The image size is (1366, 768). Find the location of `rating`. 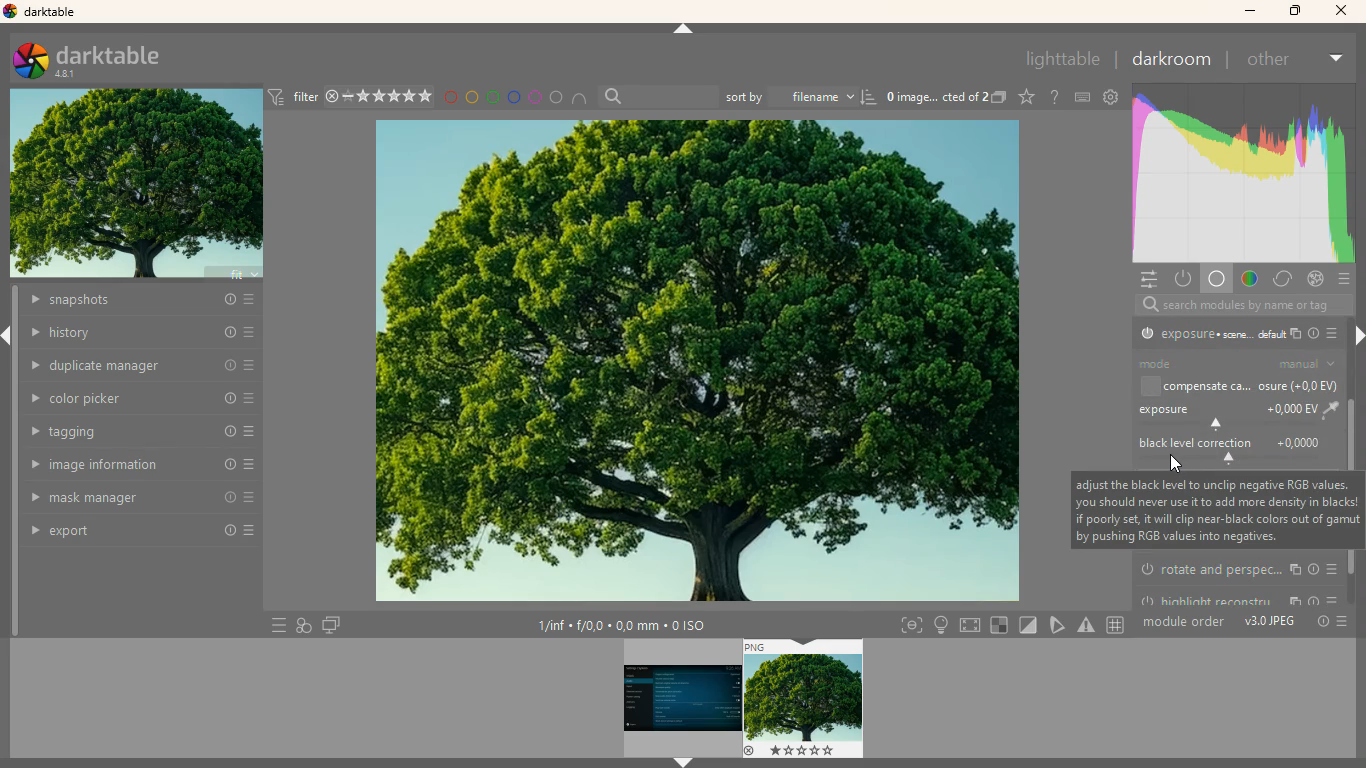

rating is located at coordinates (388, 96).